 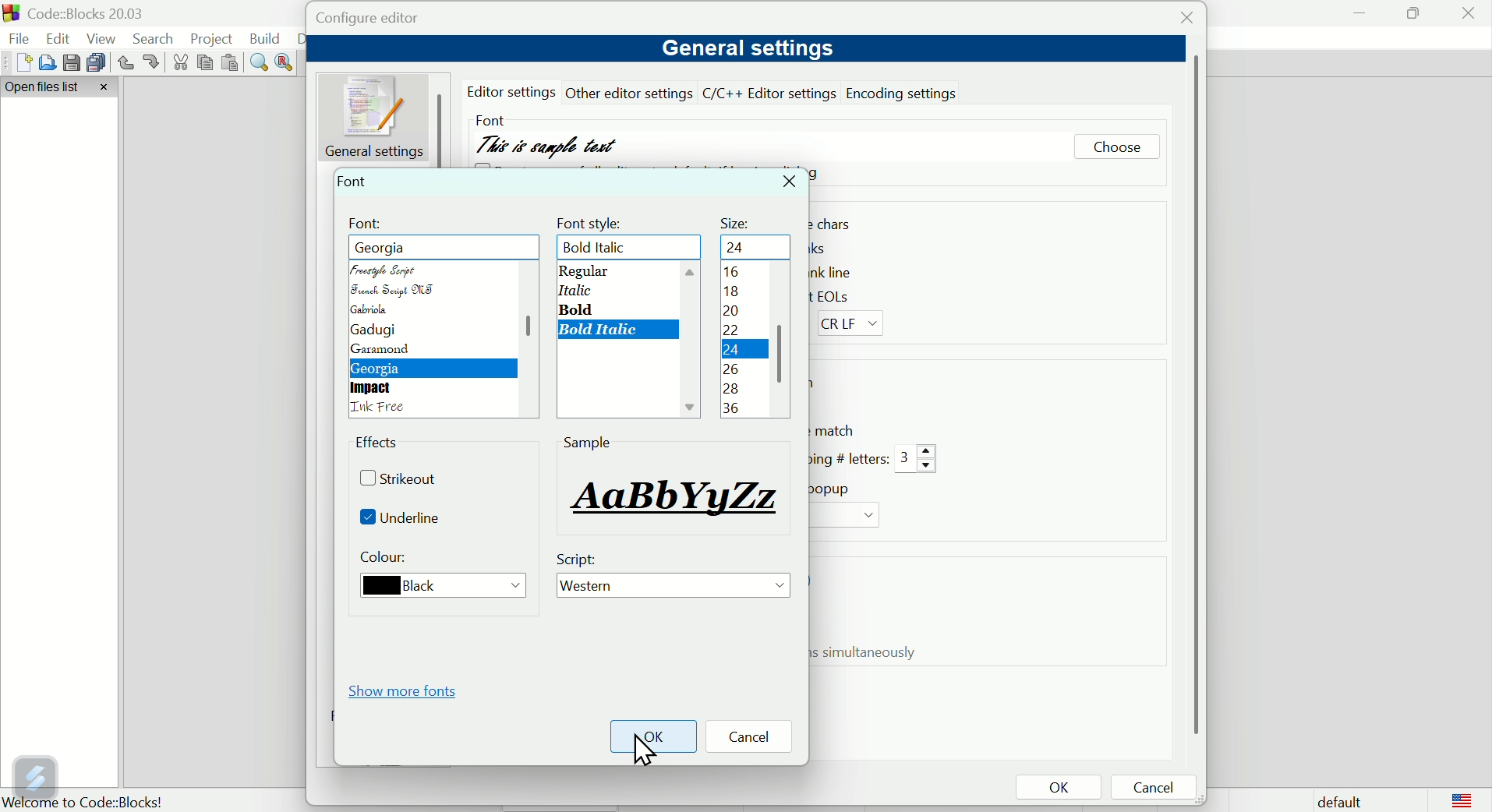 I want to click on Undo, so click(x=125, y=63).